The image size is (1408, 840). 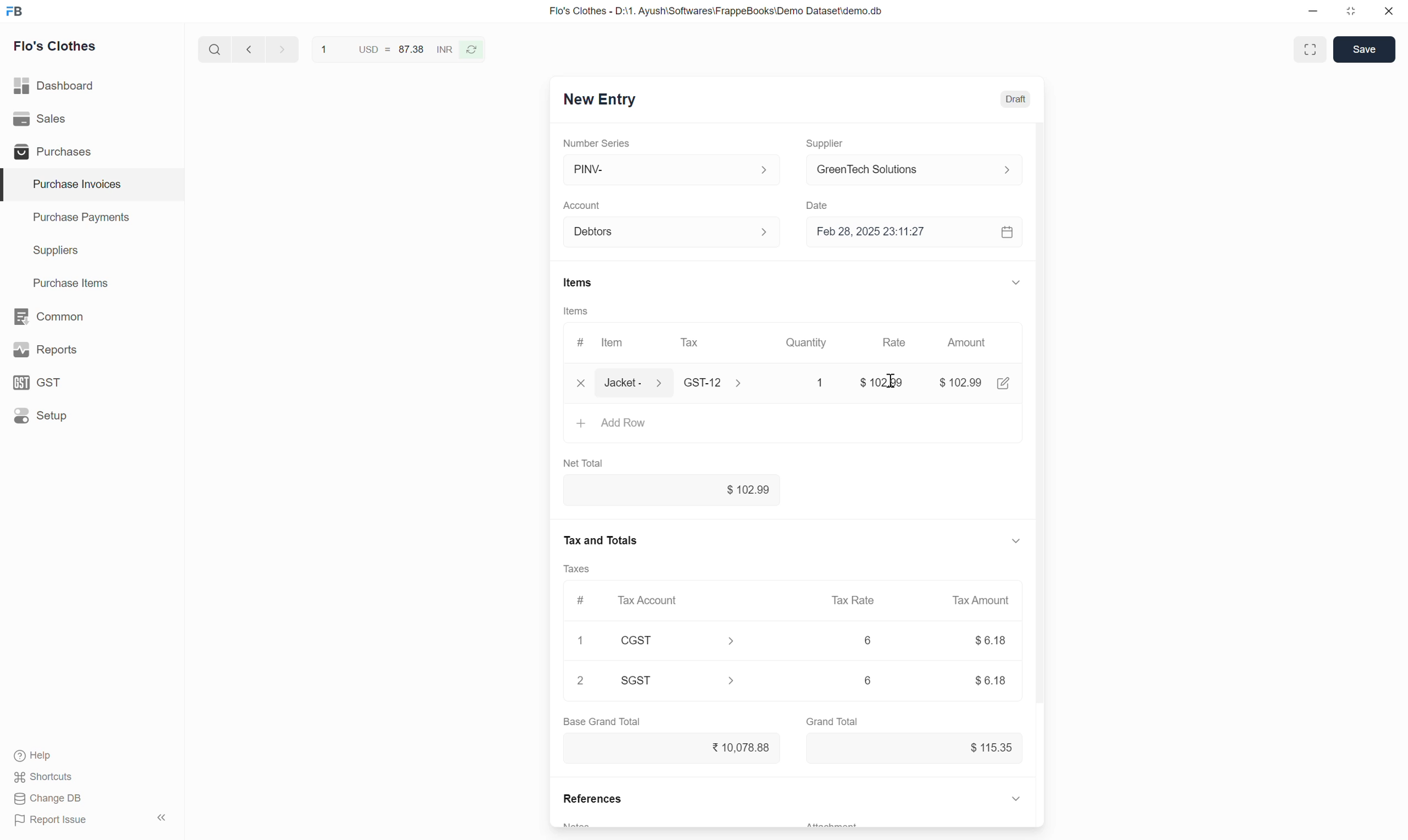 What do you see at coordinates (1016, 282) in the screenshot?
I see `Collapse` at bounding box center [1016, 282].